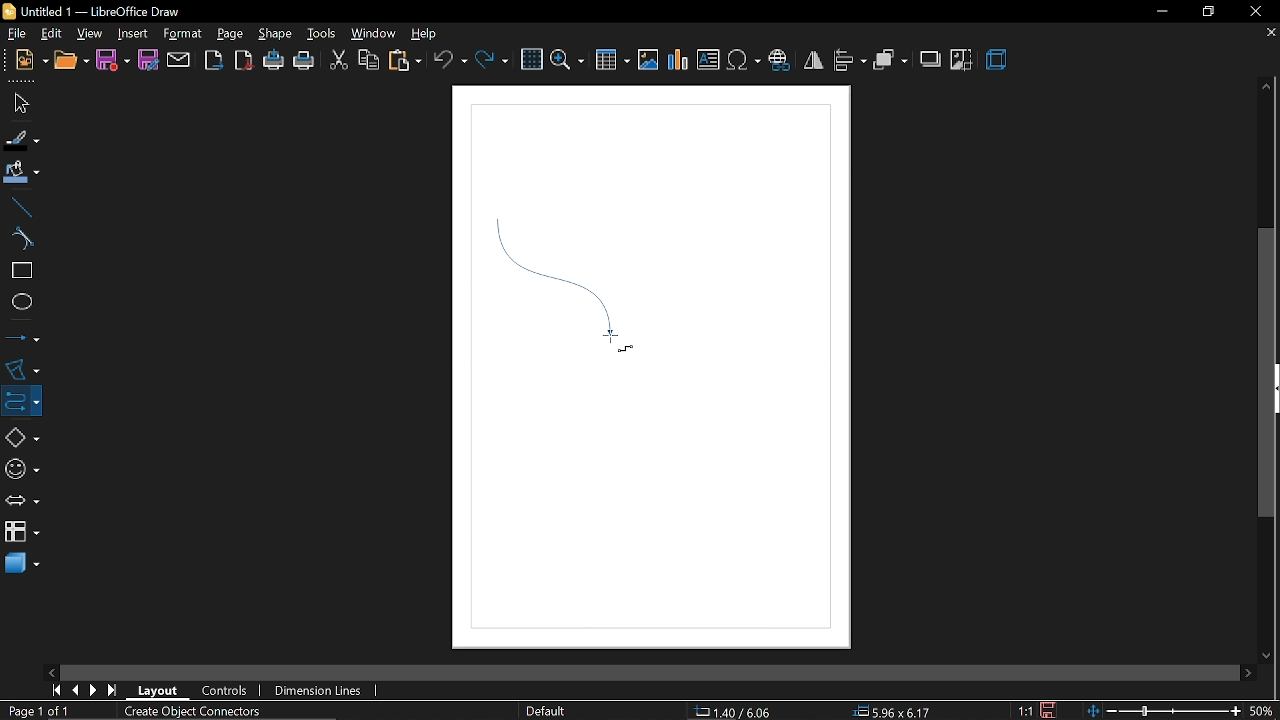  I want to click on rectangle, so click(18, 271).